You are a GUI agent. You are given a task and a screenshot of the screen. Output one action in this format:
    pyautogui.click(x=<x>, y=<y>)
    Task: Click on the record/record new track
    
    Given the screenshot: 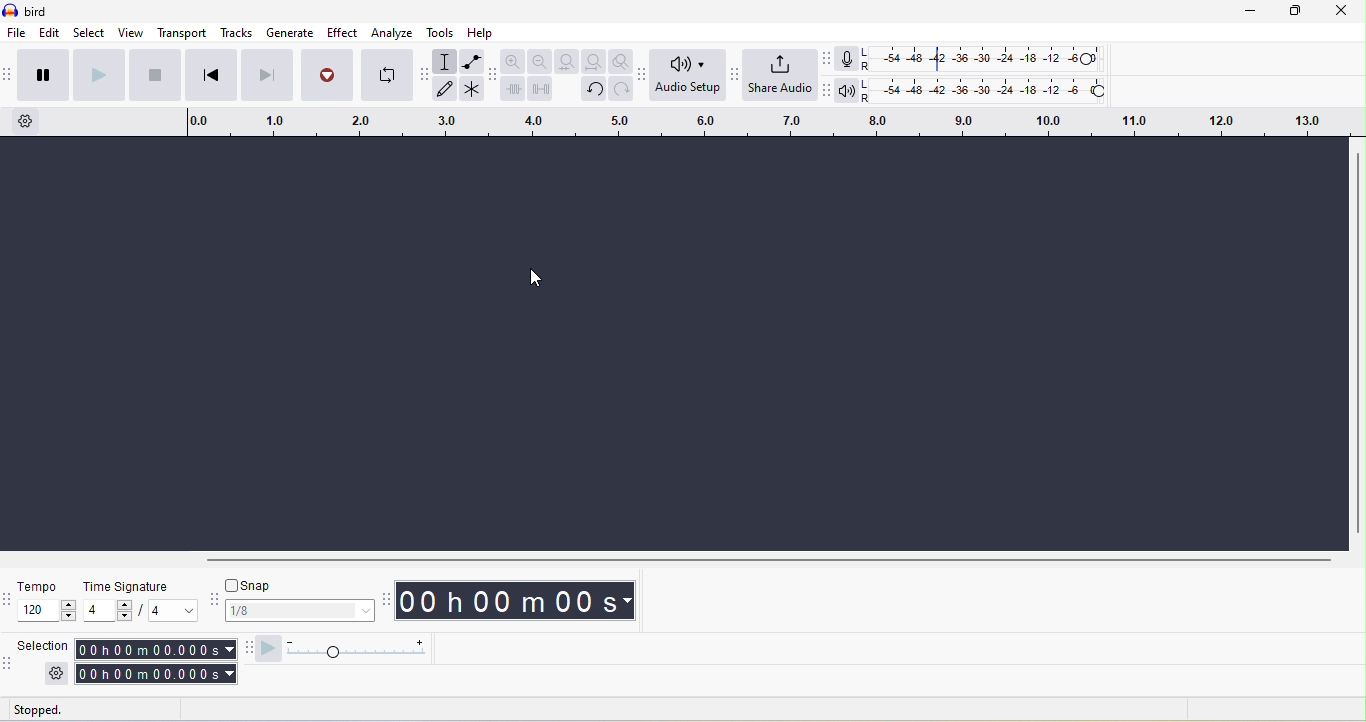 What is the action you would take?
    pyautogui.click(x=325, y=75)
    